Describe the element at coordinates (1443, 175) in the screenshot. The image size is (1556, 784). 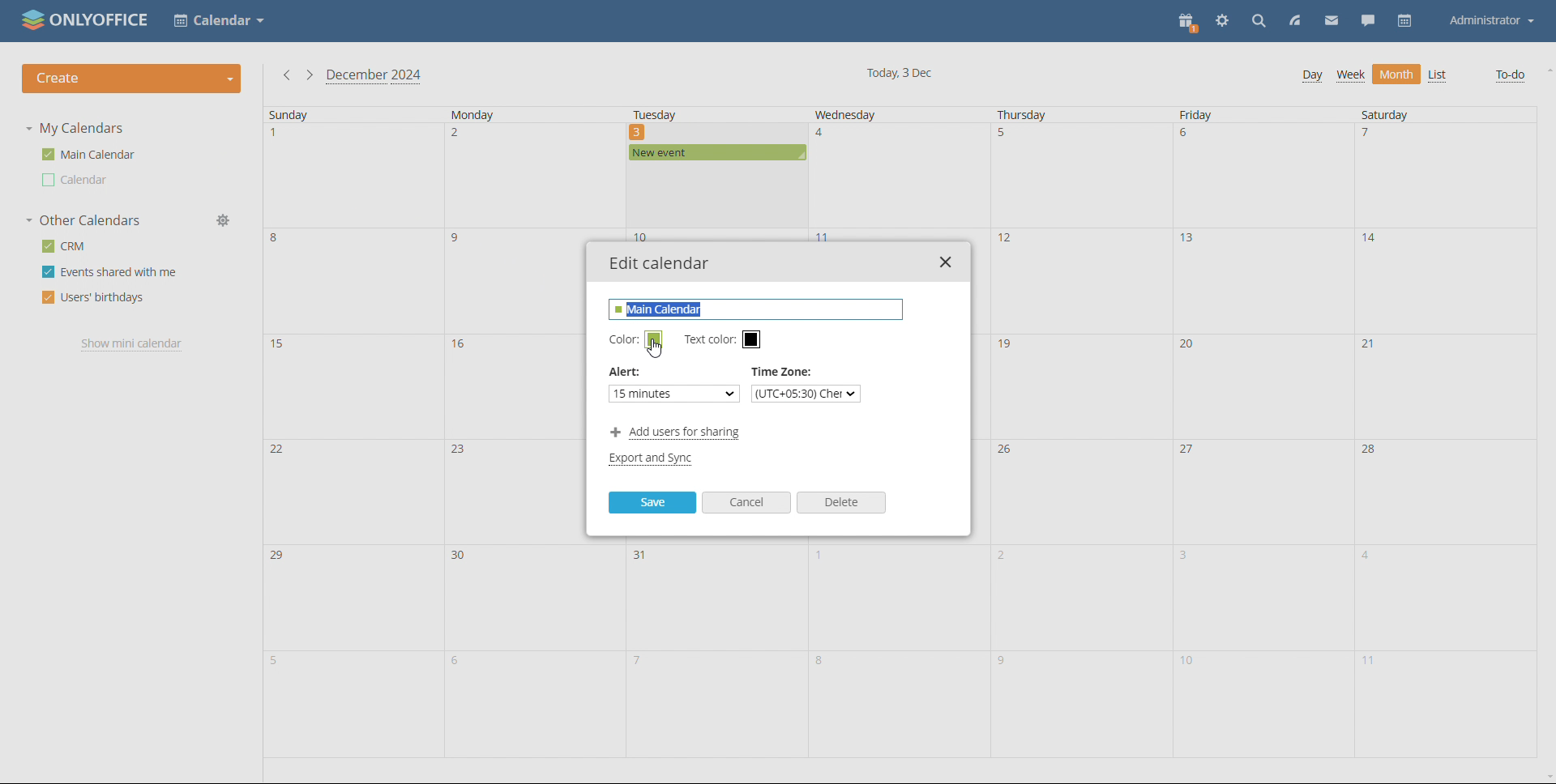
I see `date` at that location.